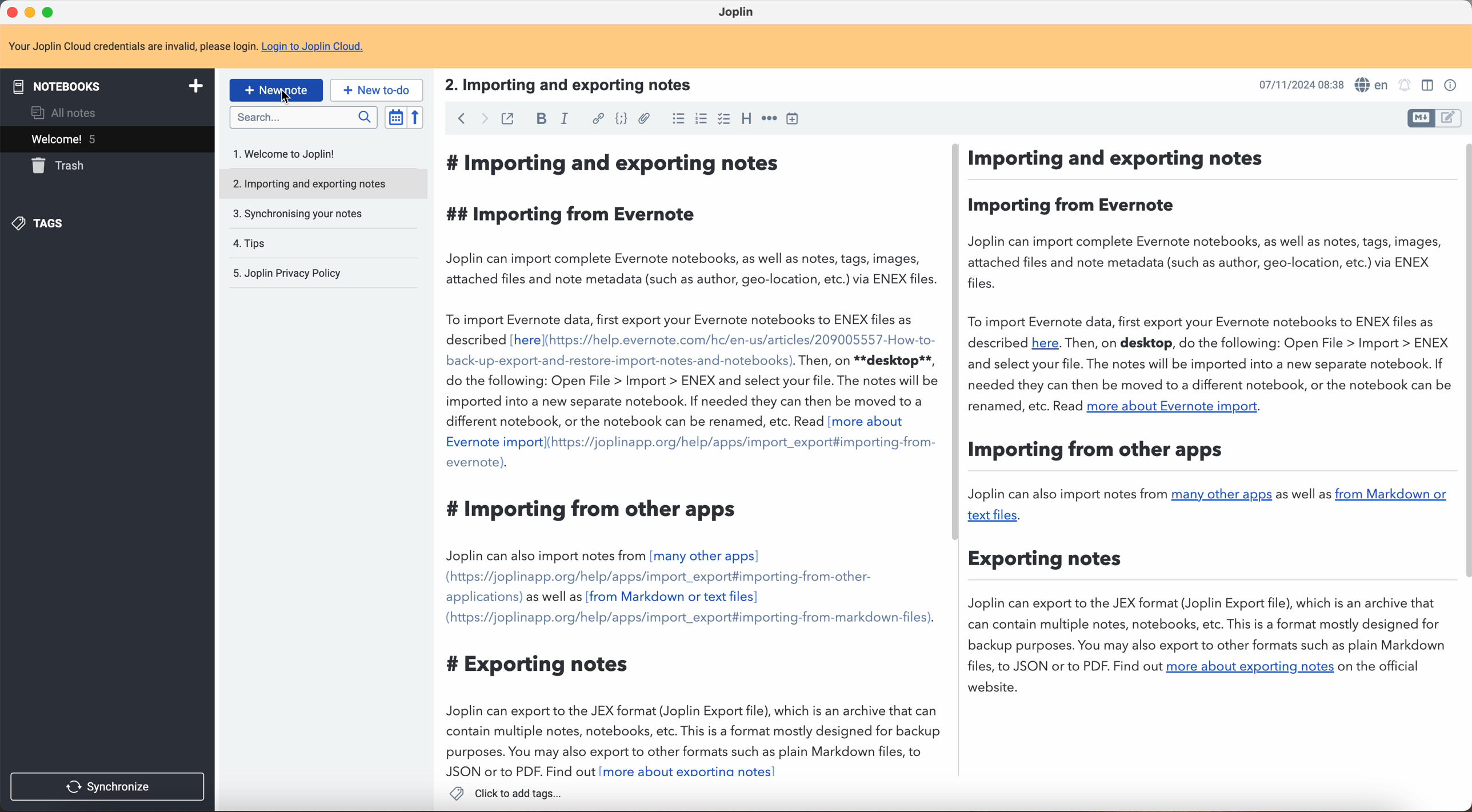 The image size is (1472, 812). What do you see at coordinates (792, 118) in the screenshot?
I see `insert time` at bounding box center [792, 118].